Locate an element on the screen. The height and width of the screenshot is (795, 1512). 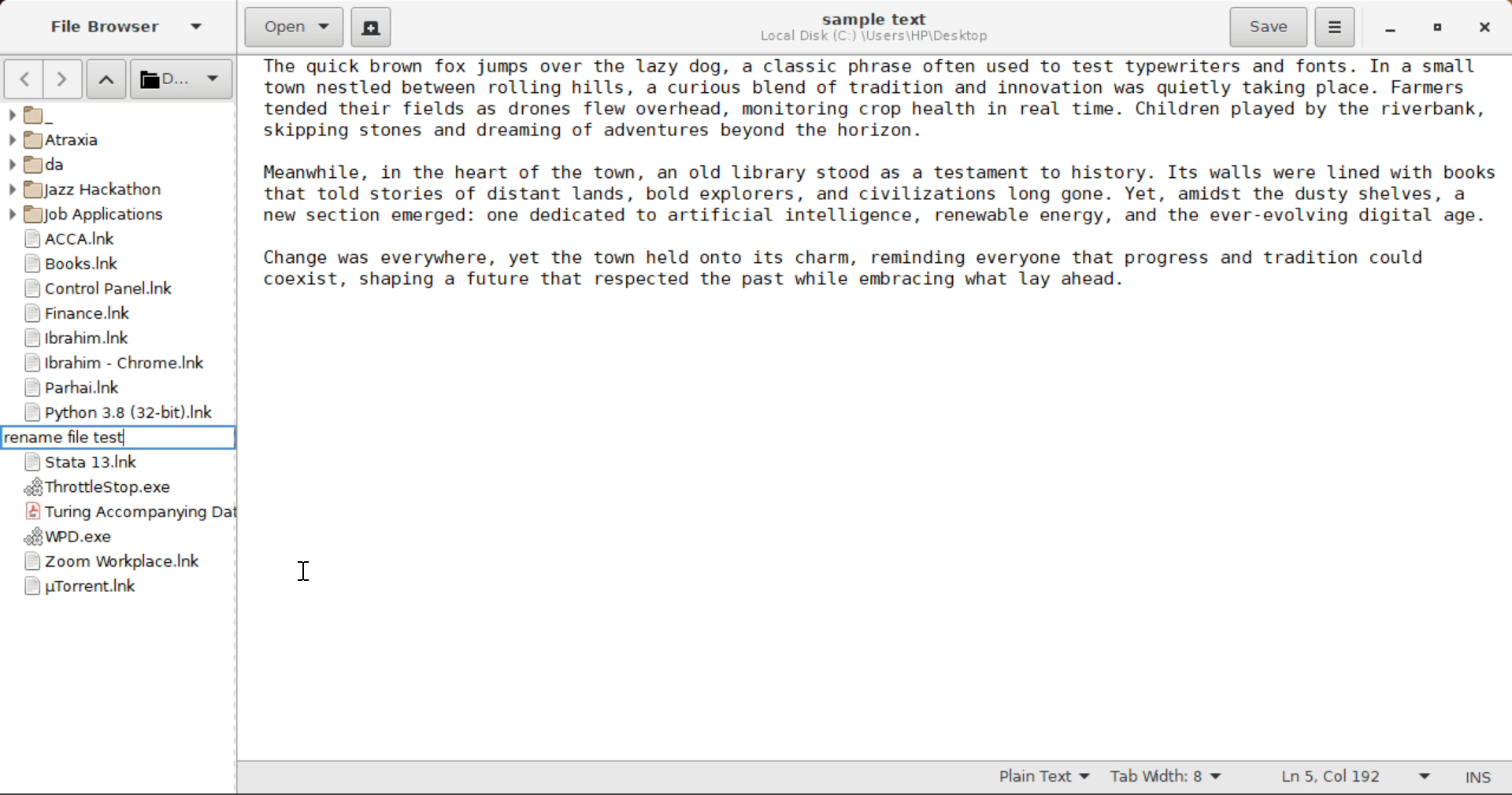
Selected Folder is located at coordinates (180, 79).